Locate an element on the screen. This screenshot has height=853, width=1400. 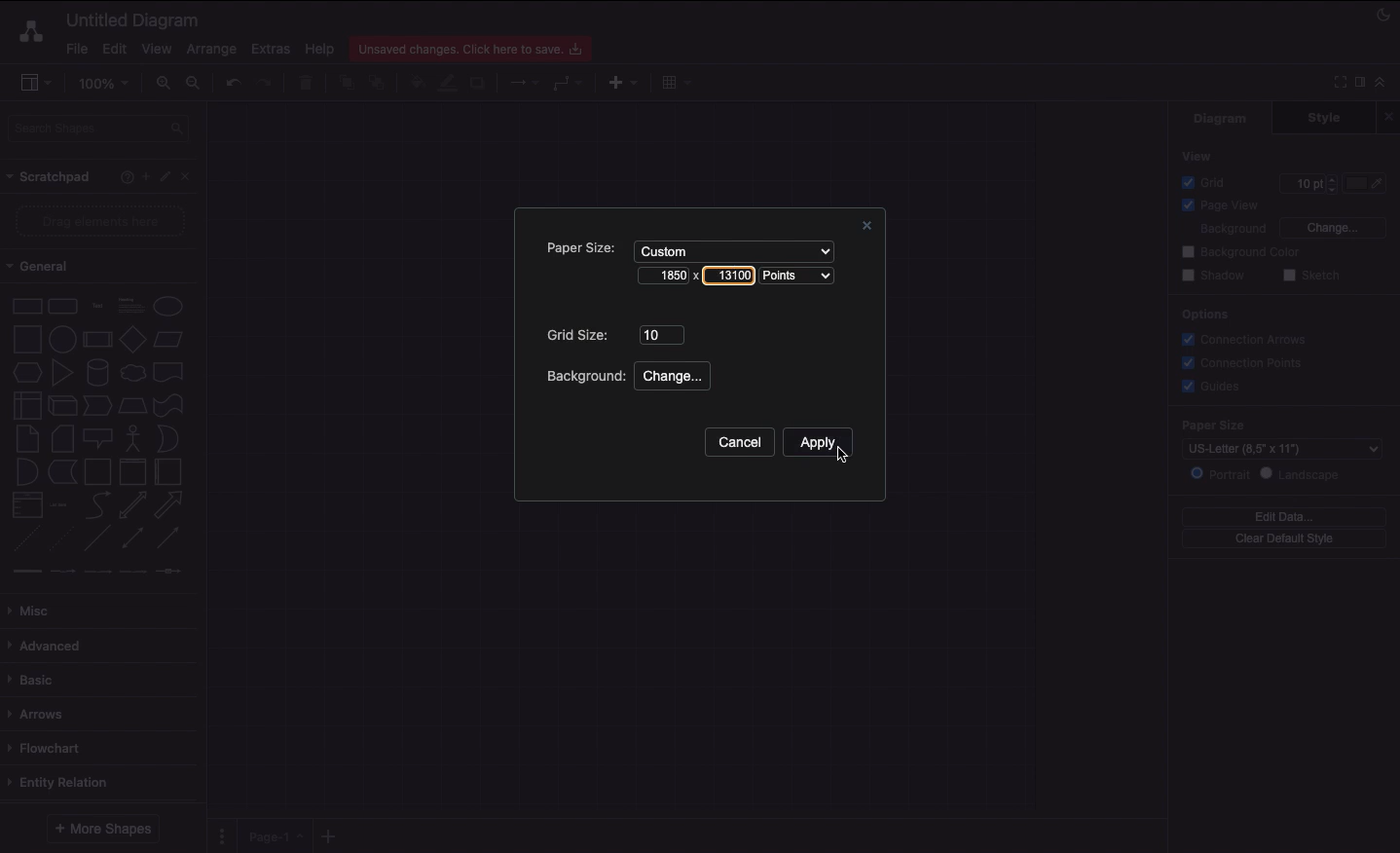
Triangle is located at coordinates (62, 372).